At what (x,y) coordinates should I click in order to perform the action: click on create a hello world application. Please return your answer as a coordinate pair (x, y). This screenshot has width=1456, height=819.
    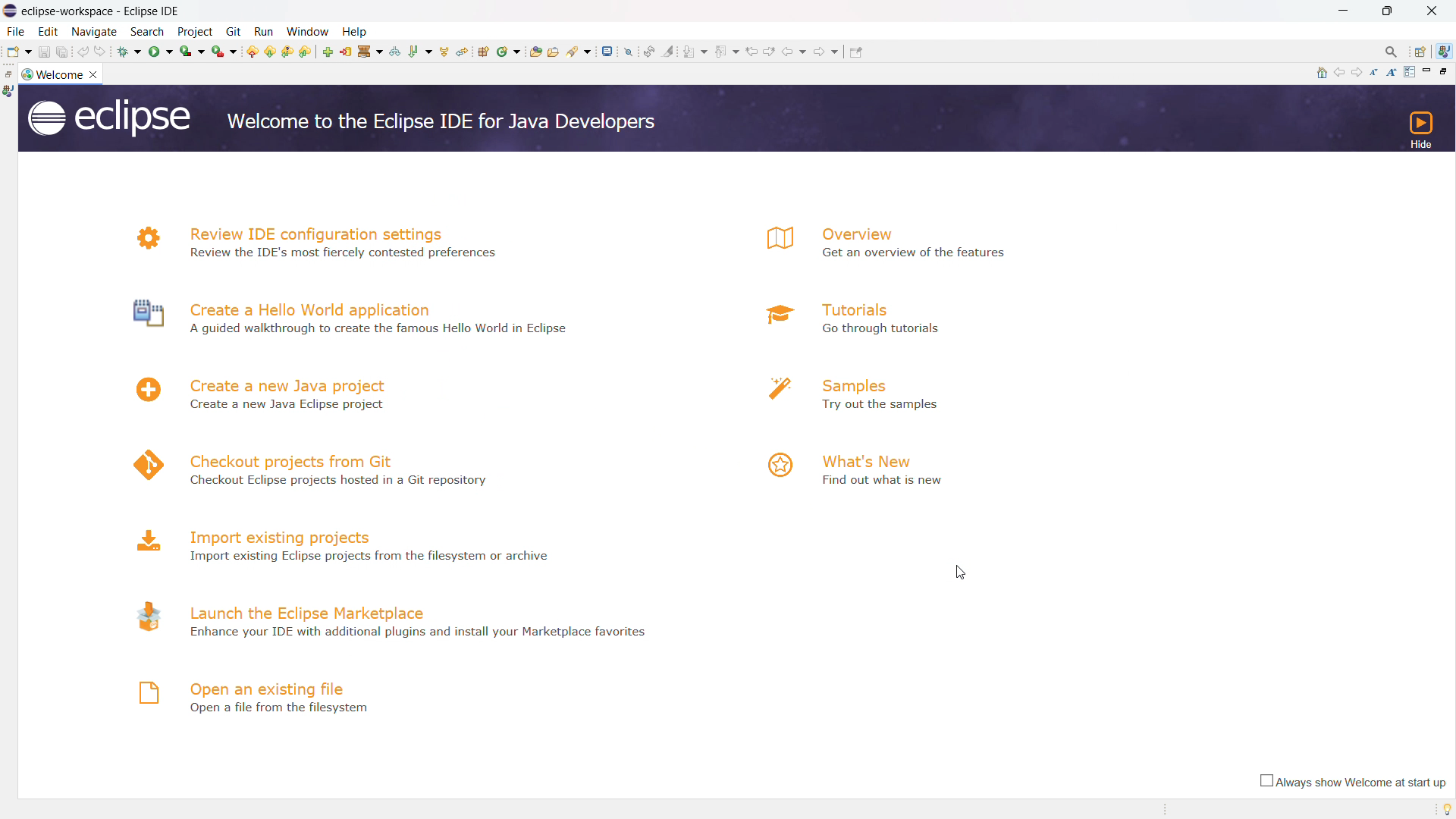
    Looking at the image, I should click on (314, 309).